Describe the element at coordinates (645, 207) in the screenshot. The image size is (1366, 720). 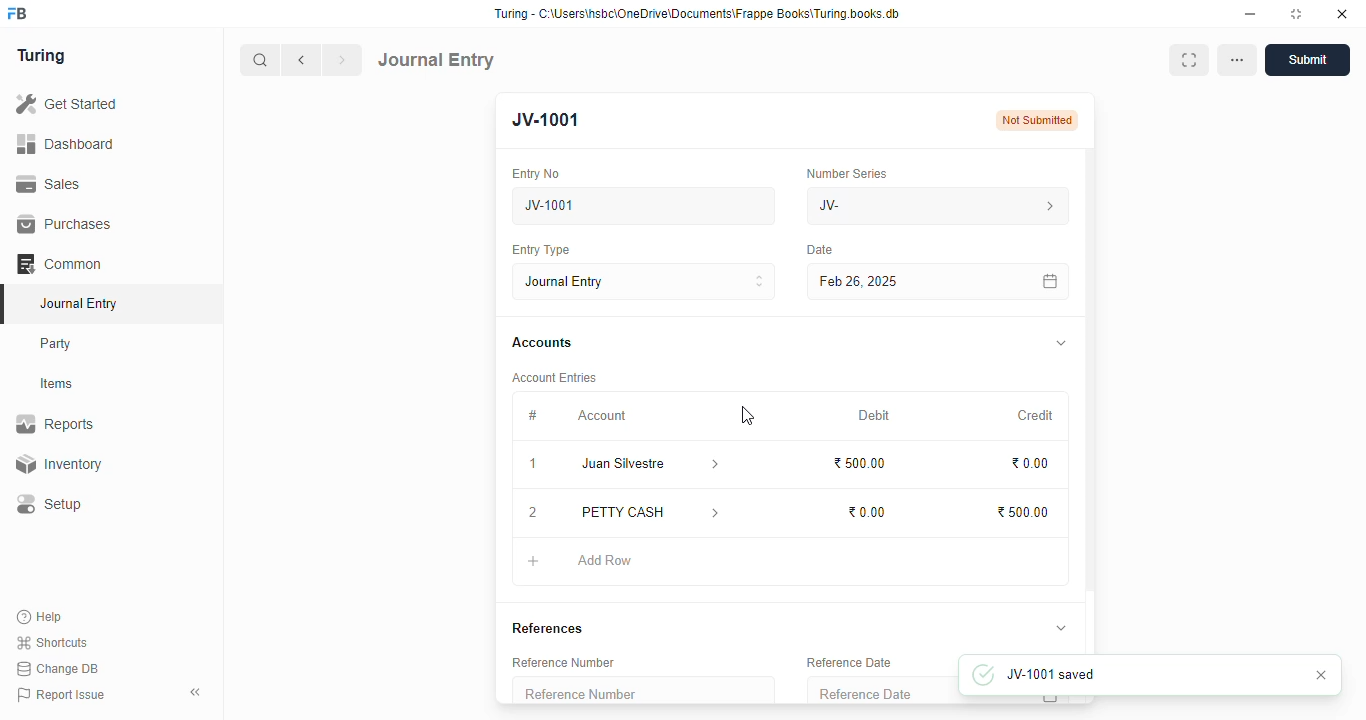
I see `new journal entry 05` at that location.